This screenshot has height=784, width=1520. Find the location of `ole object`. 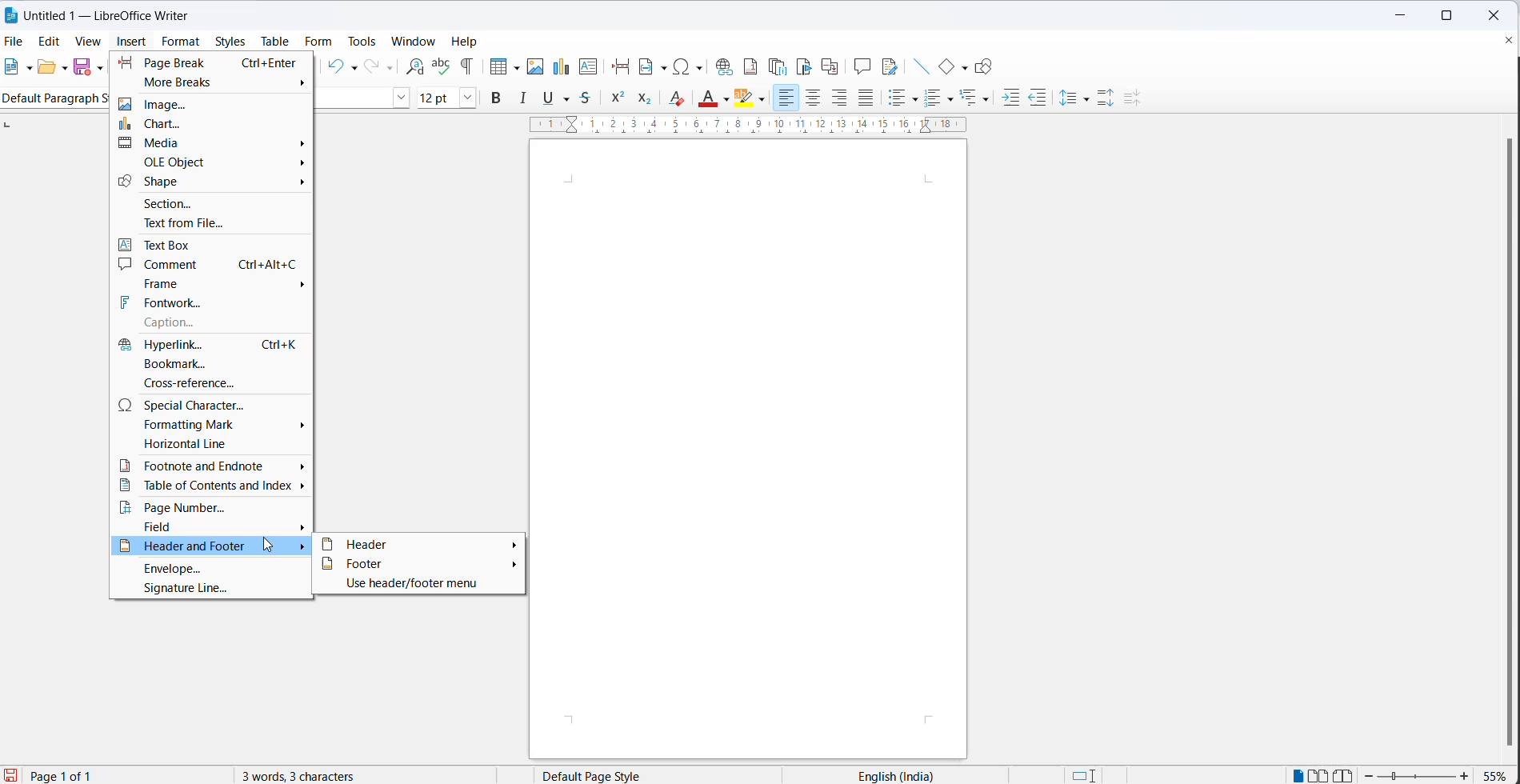

ole object is located at coordinates (211, 162).